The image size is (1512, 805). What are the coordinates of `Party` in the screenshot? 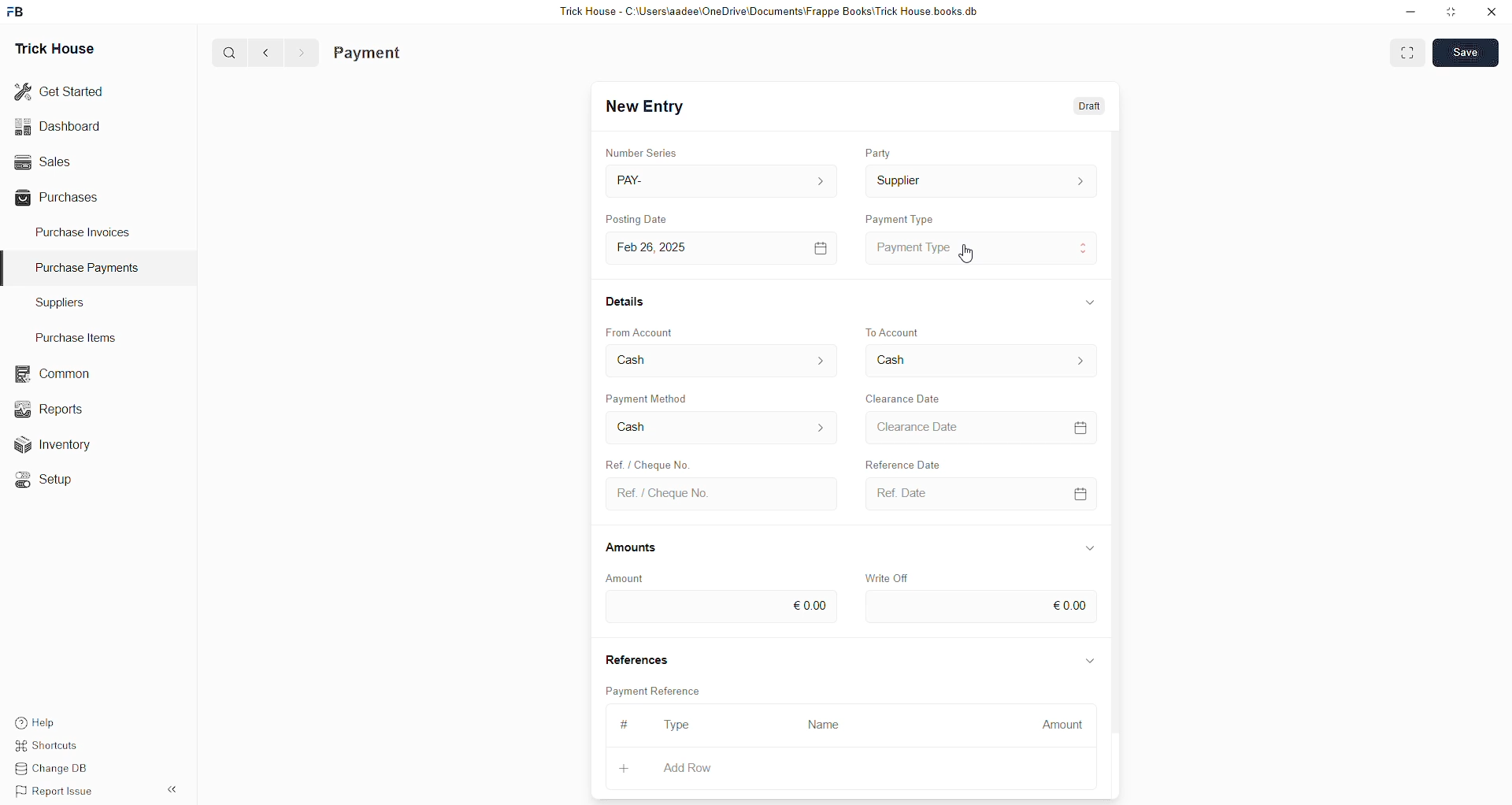 It's located at (980, 182).